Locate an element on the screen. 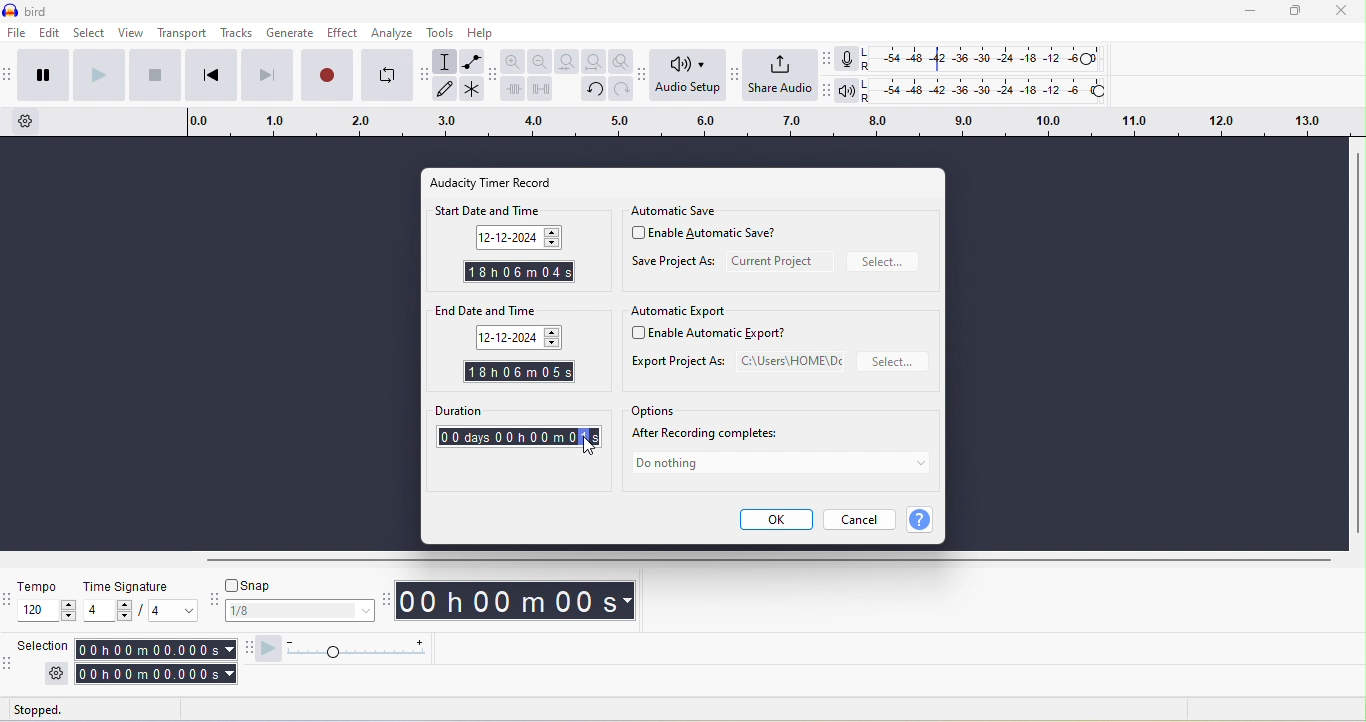  view is located at coordinates (134, 35).